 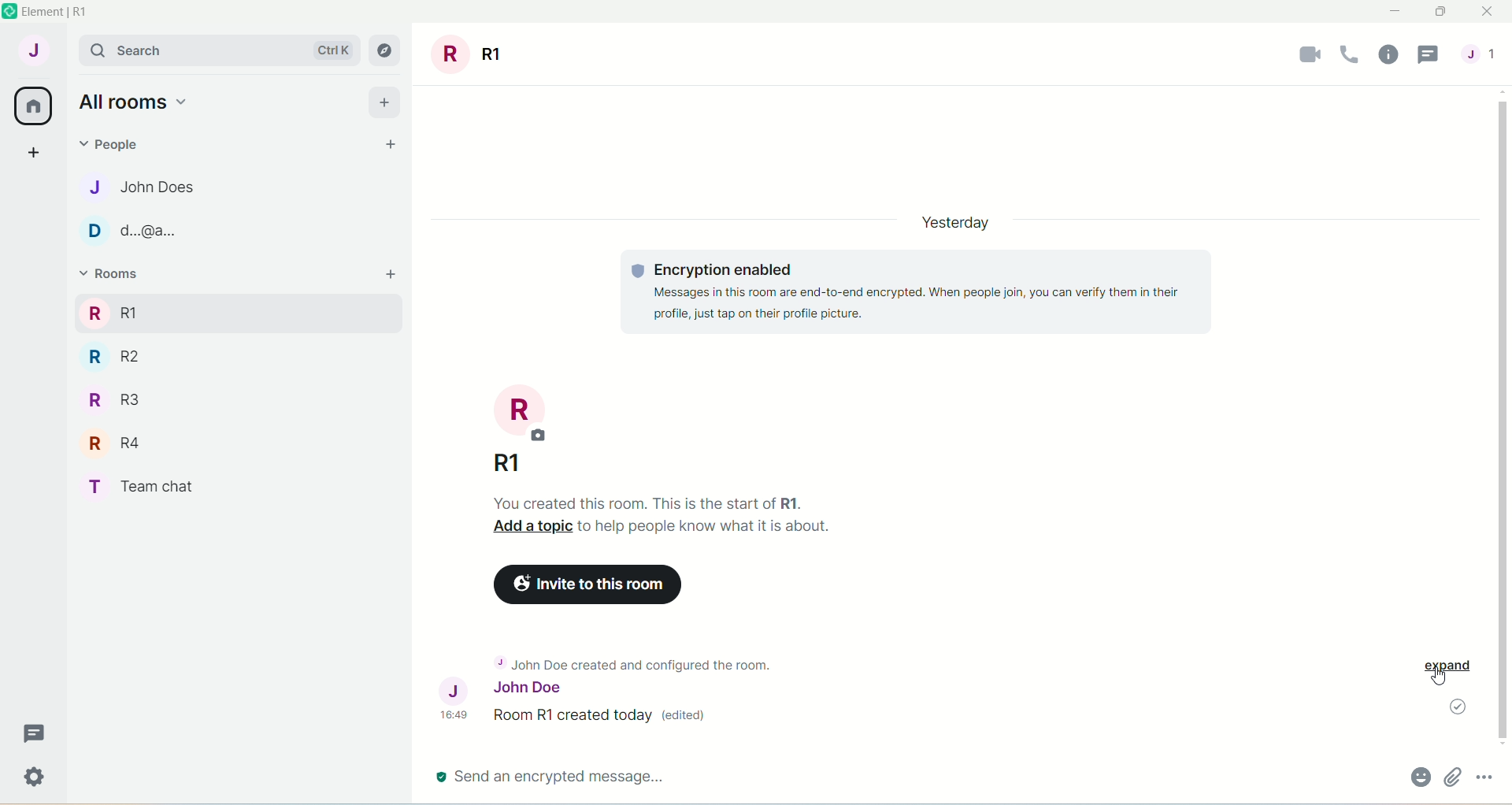 What do you see at coordinates (135, 54) in the screenshot?
I see `search bar` at bounding box center [135, 54].